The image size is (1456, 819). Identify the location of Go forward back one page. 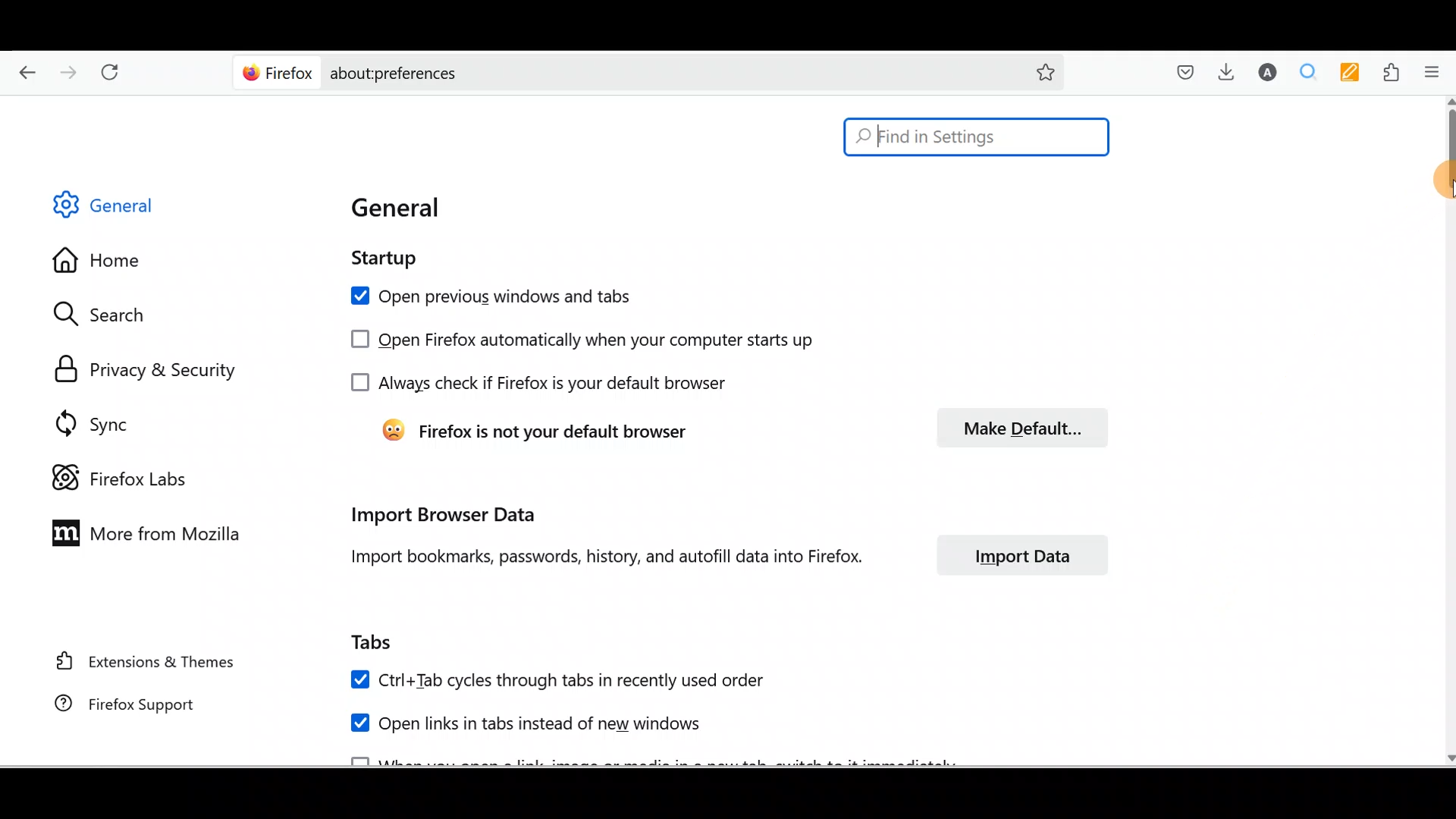
(71, 71).